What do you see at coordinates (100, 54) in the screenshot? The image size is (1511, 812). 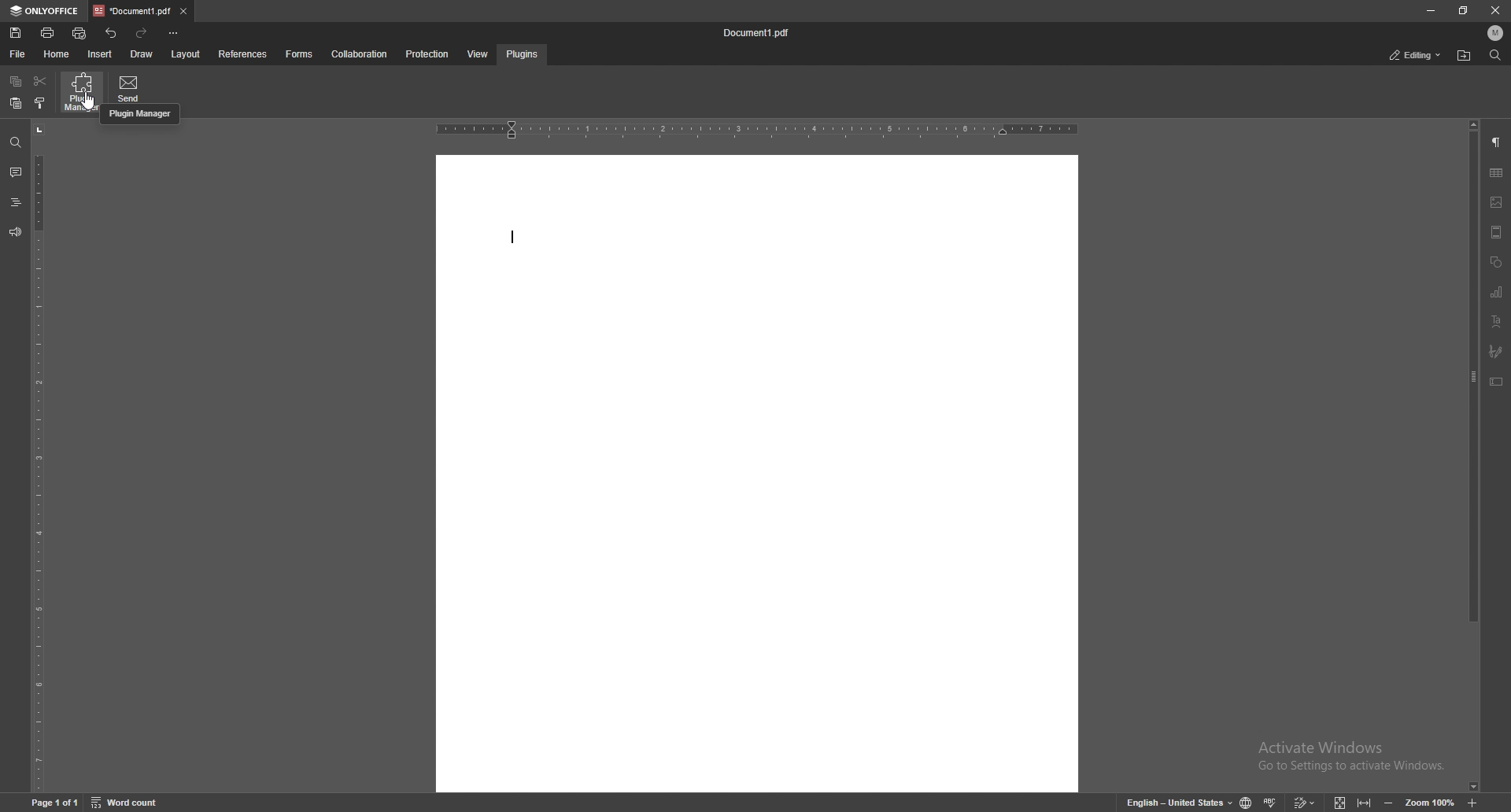 I see `insert` at bounding box center [100, 54].